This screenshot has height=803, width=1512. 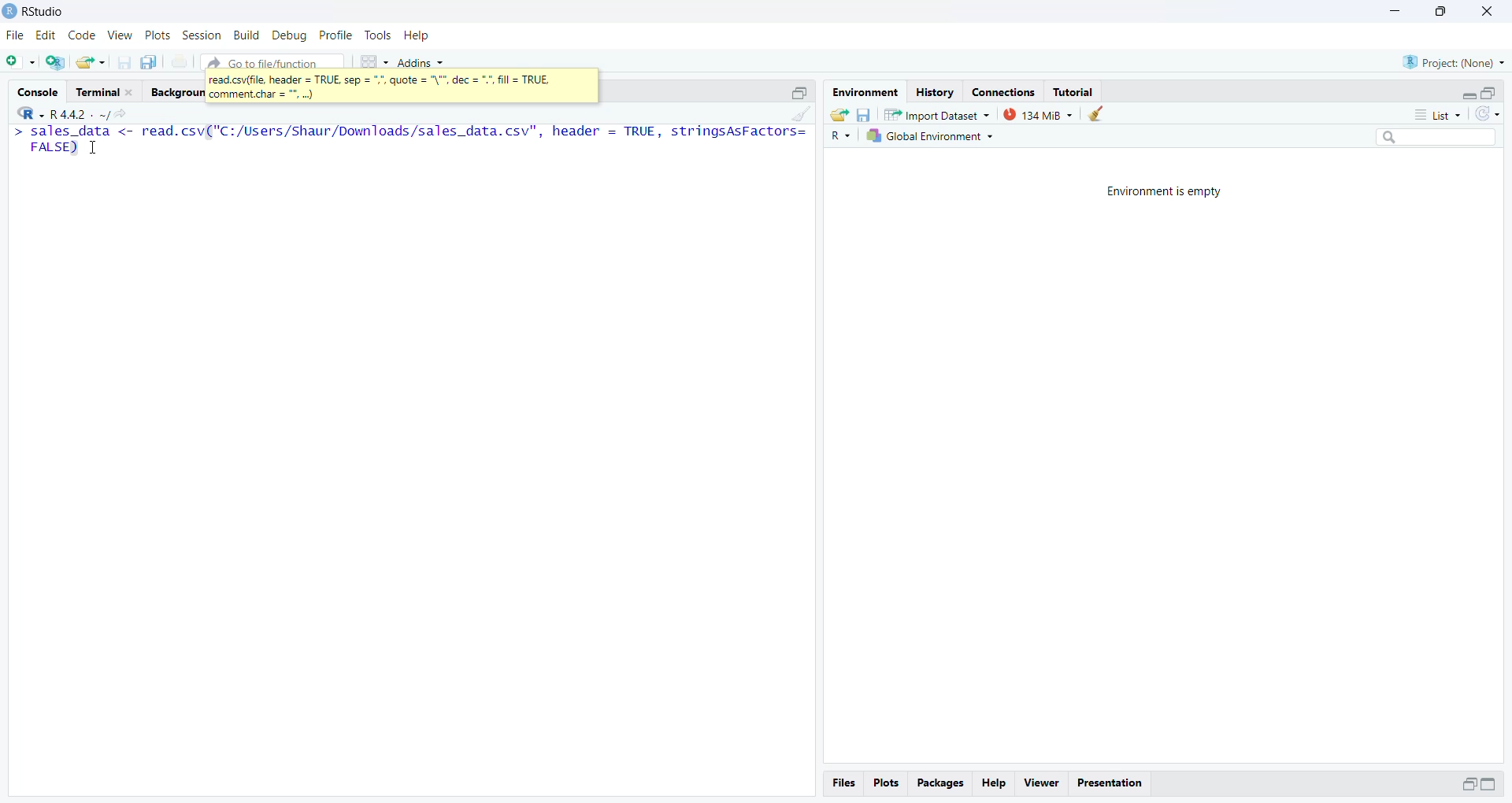 What do you see at coordinates (1467, 785) in the screenshot?
I see `Maximize` at bounding box center [1467, 785].